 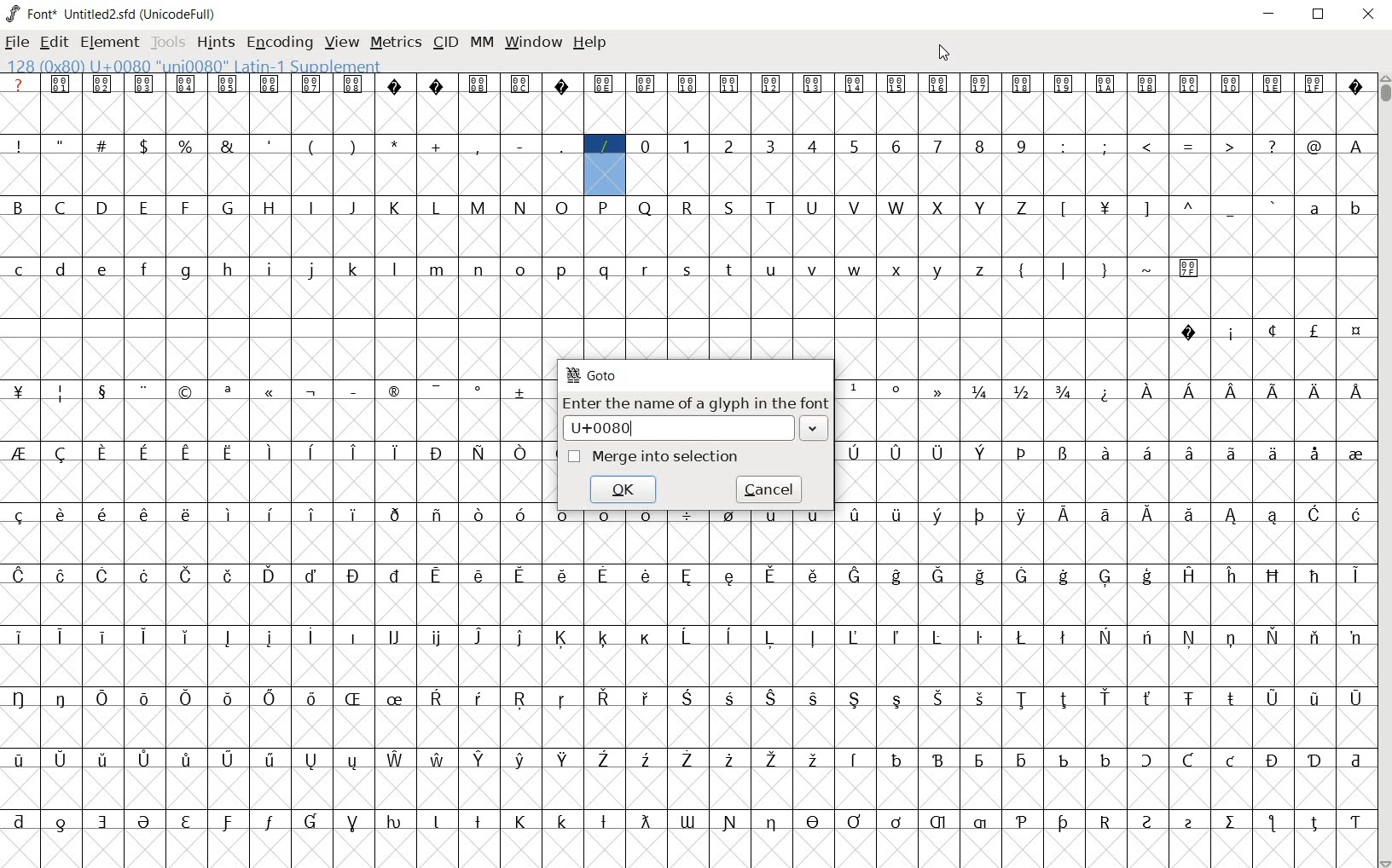 I want to click on glyph, so click(x=1105, y=209).